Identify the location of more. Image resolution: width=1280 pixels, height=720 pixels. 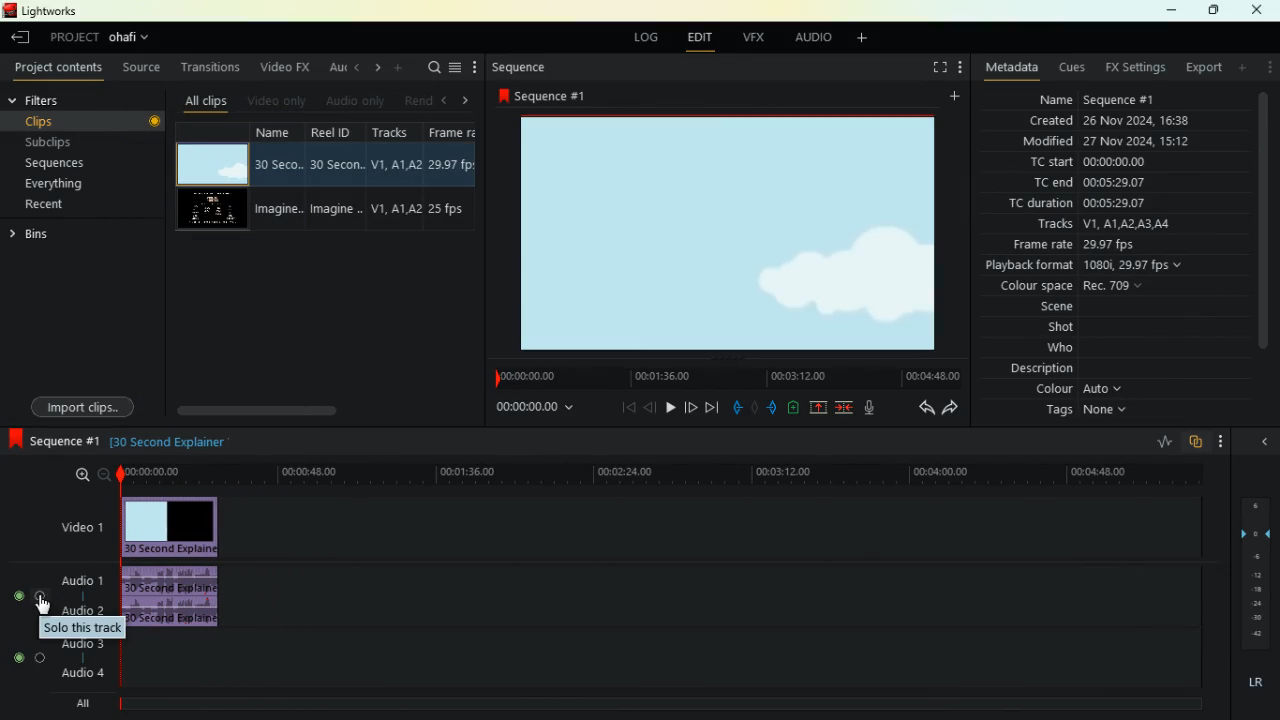
(1220, 441).